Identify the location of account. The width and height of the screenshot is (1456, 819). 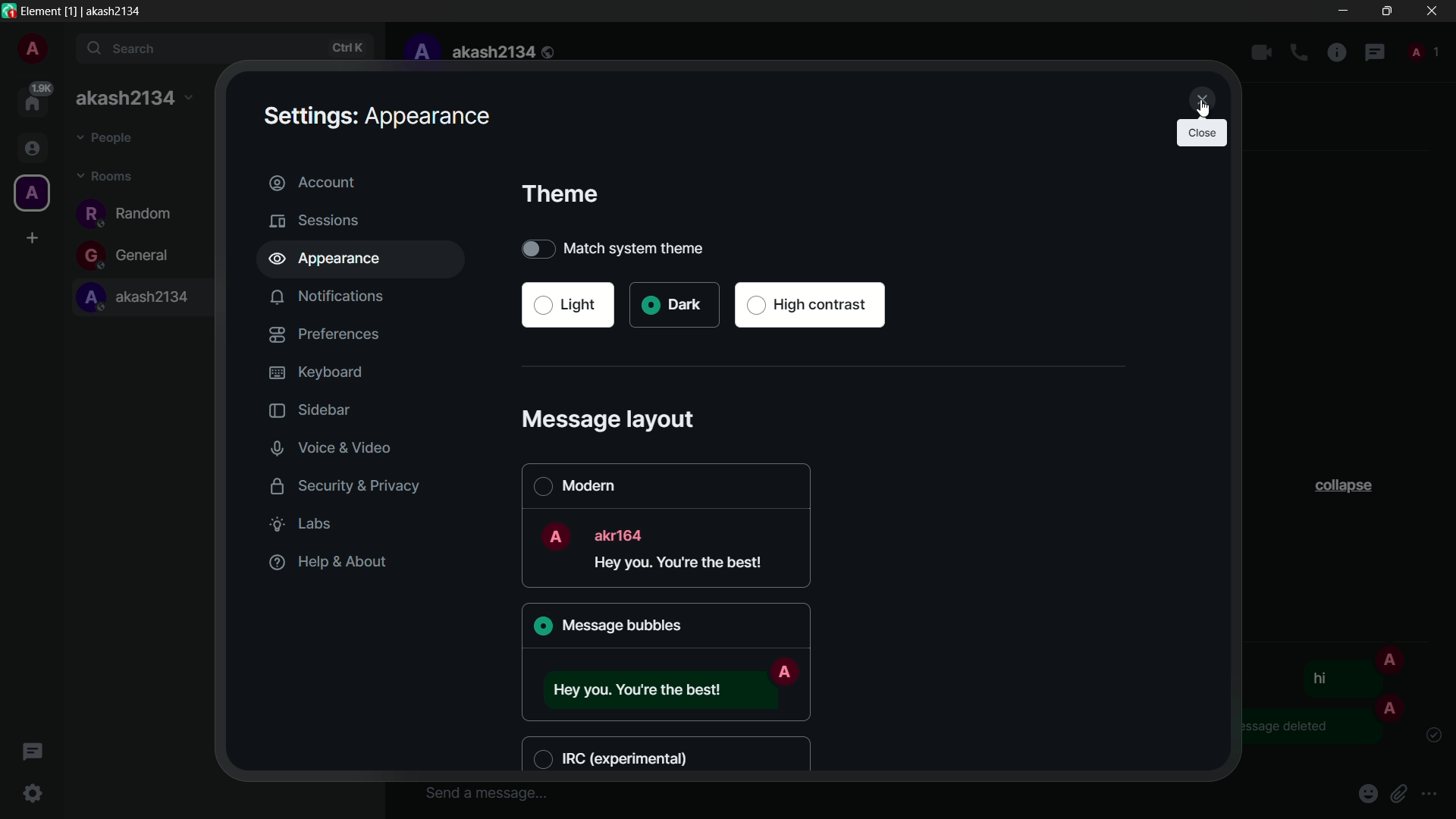
(363, 183).